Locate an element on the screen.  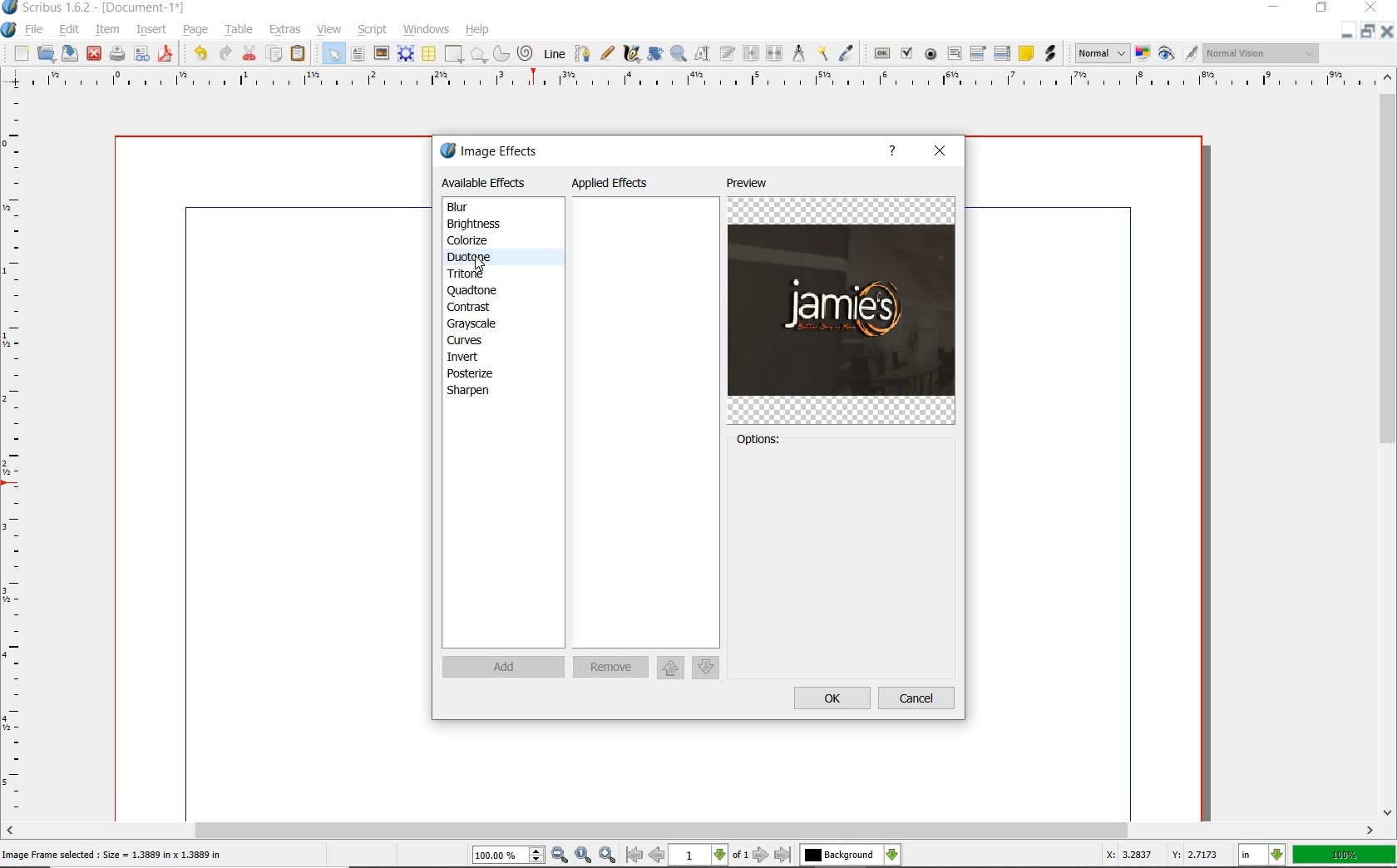
PASTE is located at coordinates (301, 53).